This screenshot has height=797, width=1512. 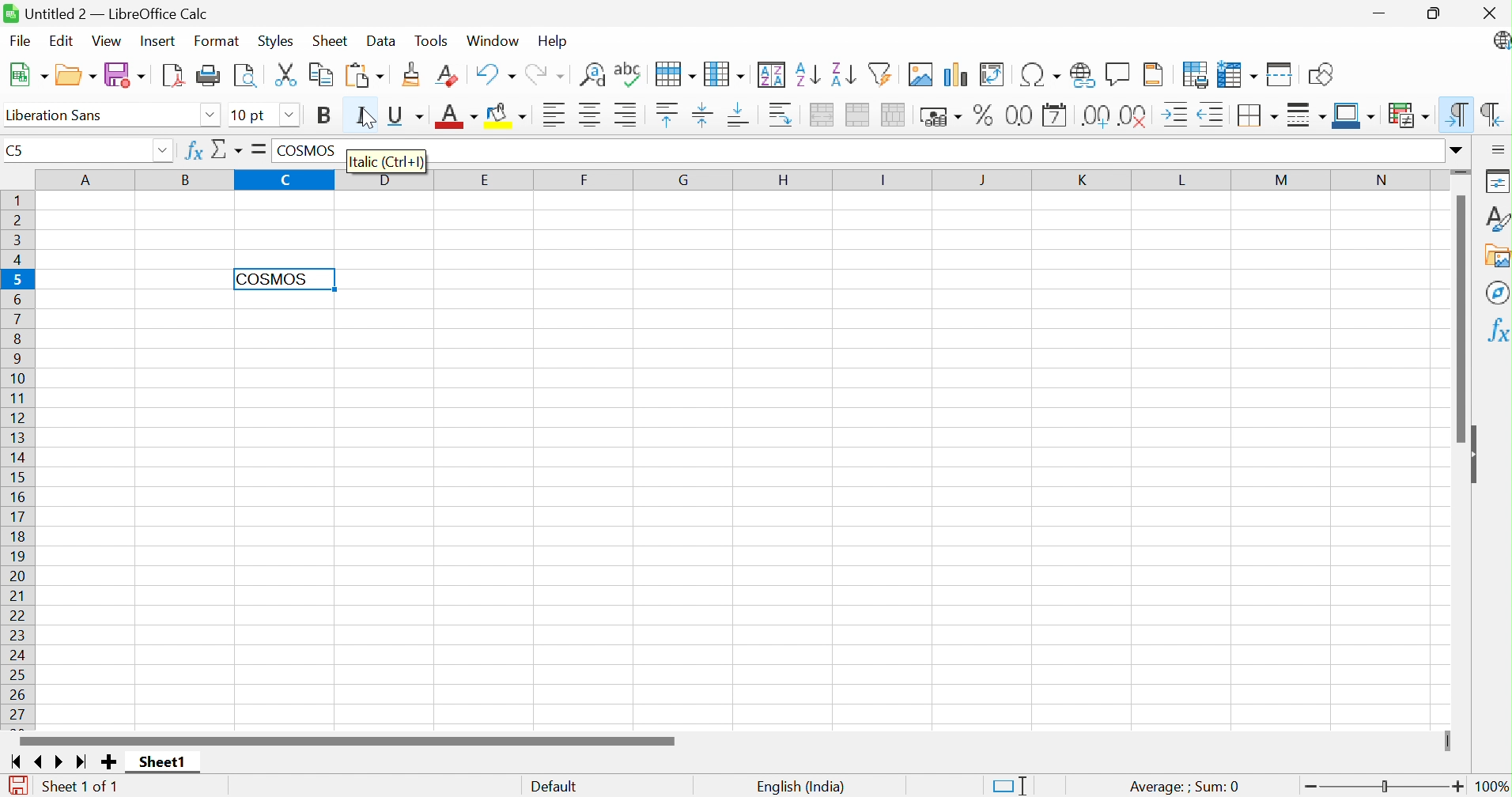 I want to click on Border color, so click(x=1355, y=117).